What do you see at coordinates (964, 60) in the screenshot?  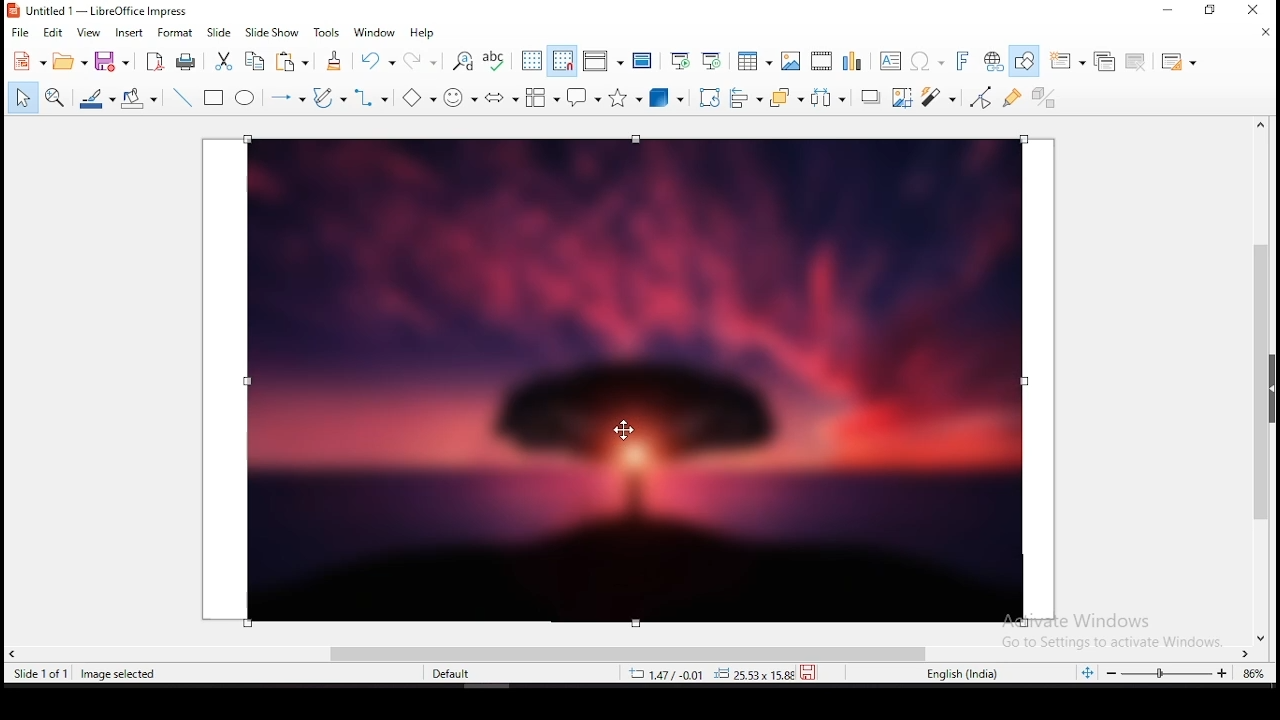 I see `insert fontwork text` at bounding box center [964, 60].